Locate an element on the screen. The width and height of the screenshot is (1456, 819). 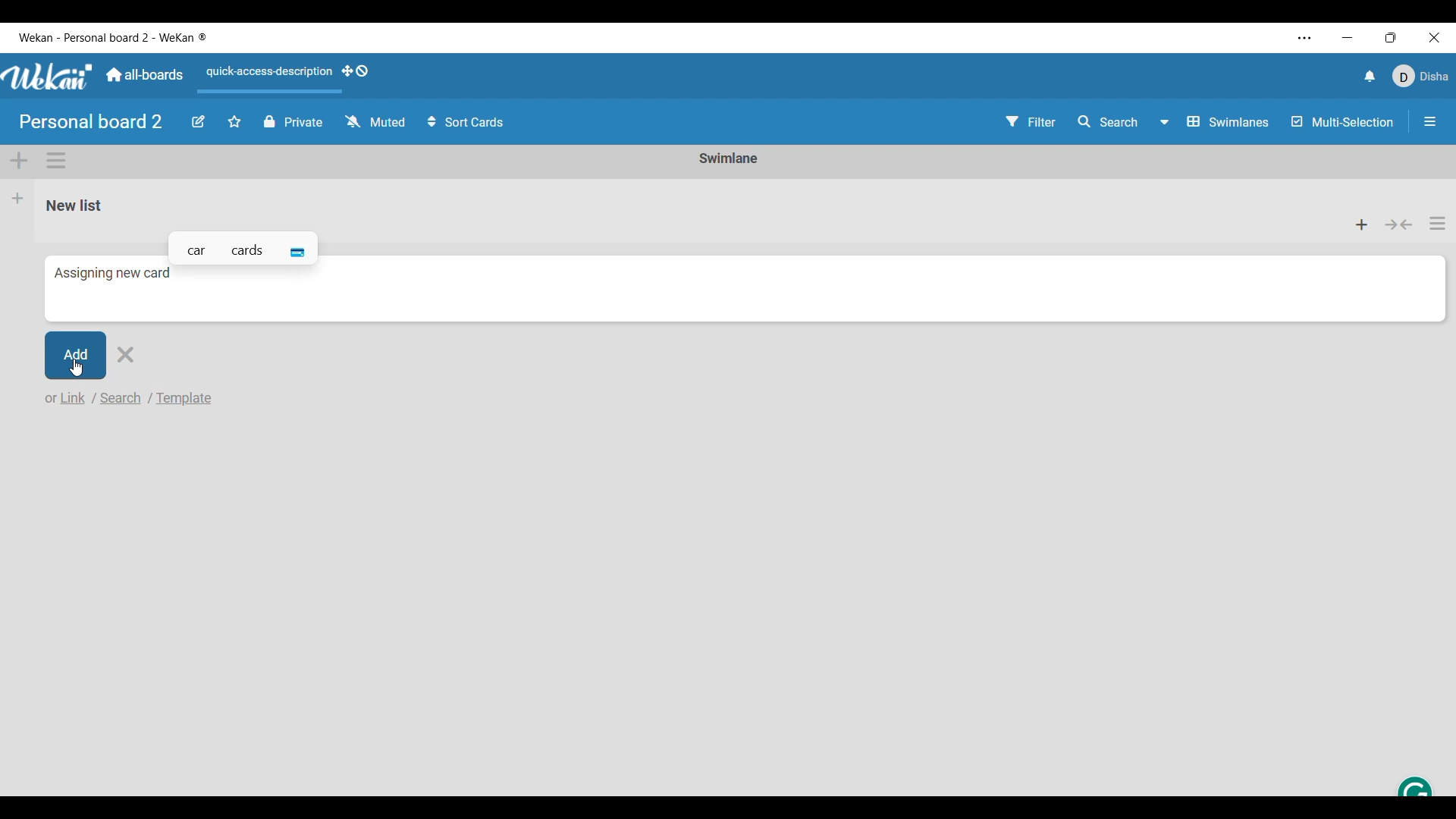
Grammarly extension is located at coordinates (1414, 784).